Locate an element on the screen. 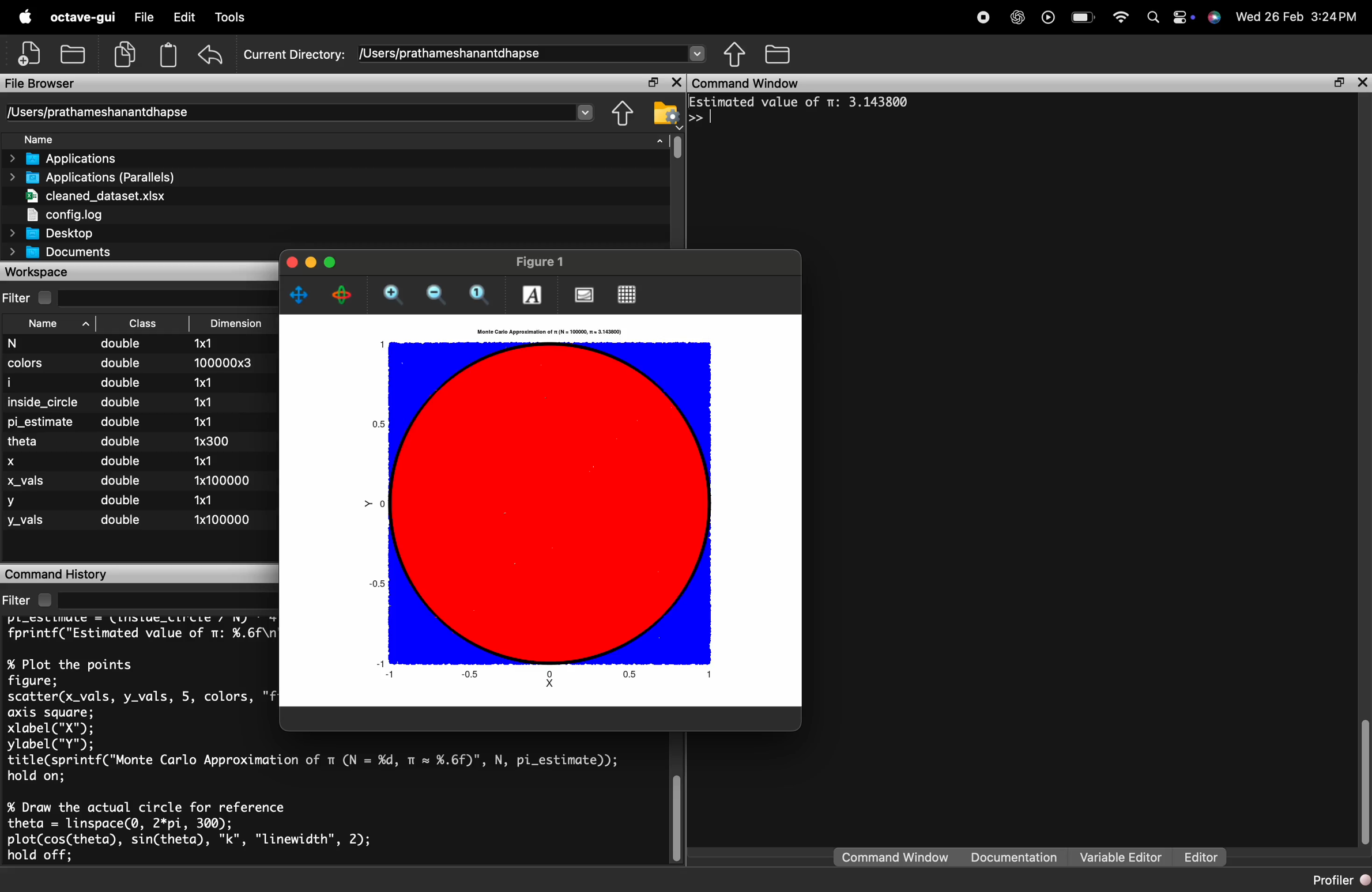  X is located at coordinates (17, 459).